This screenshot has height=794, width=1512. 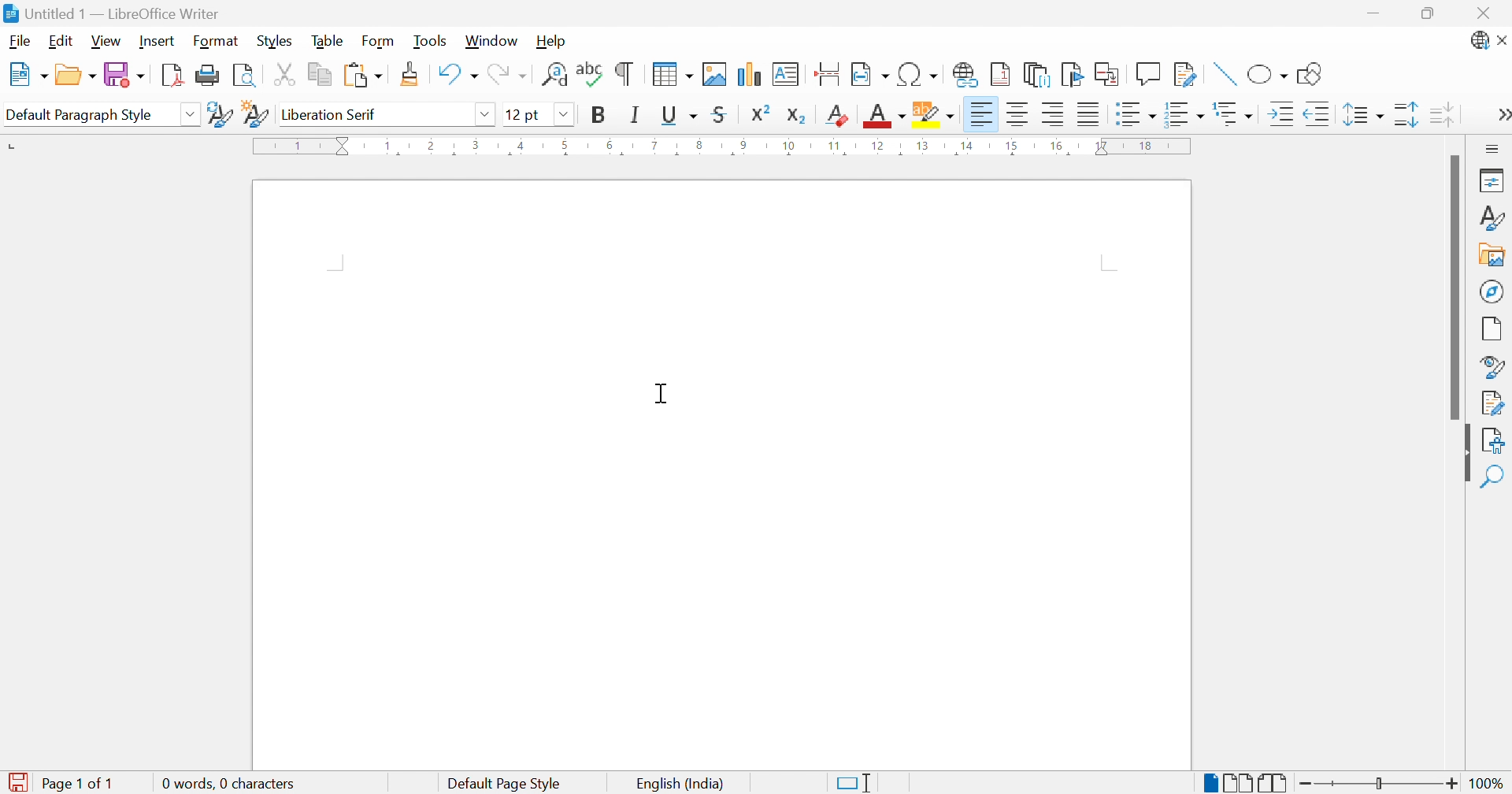 What do you see at coordinates (556, 76) in the screenshot?
I see `` at bounding box center [556, 76].